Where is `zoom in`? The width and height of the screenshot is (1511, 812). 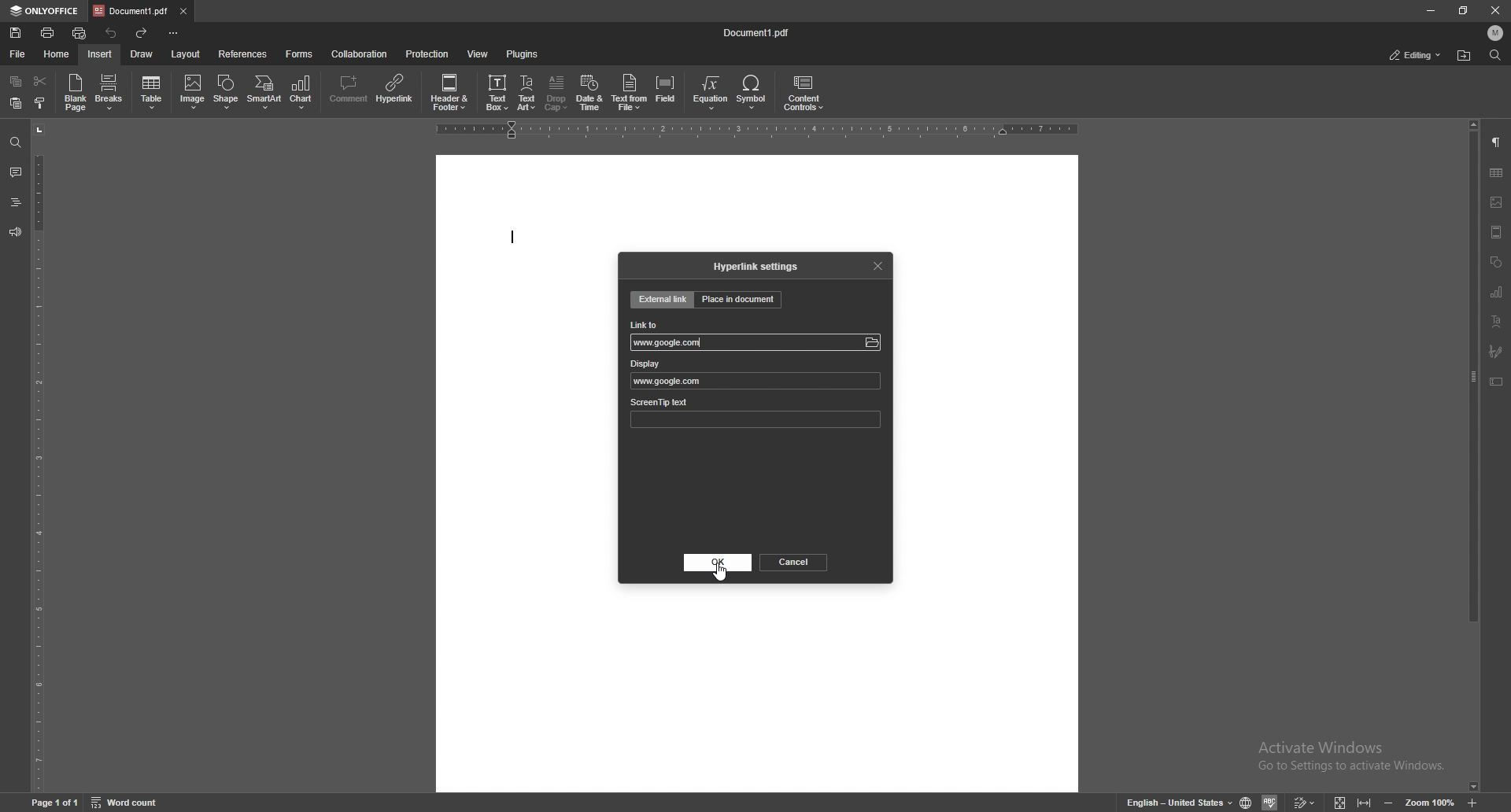 zoom in is located at coordinates (1387, 803).